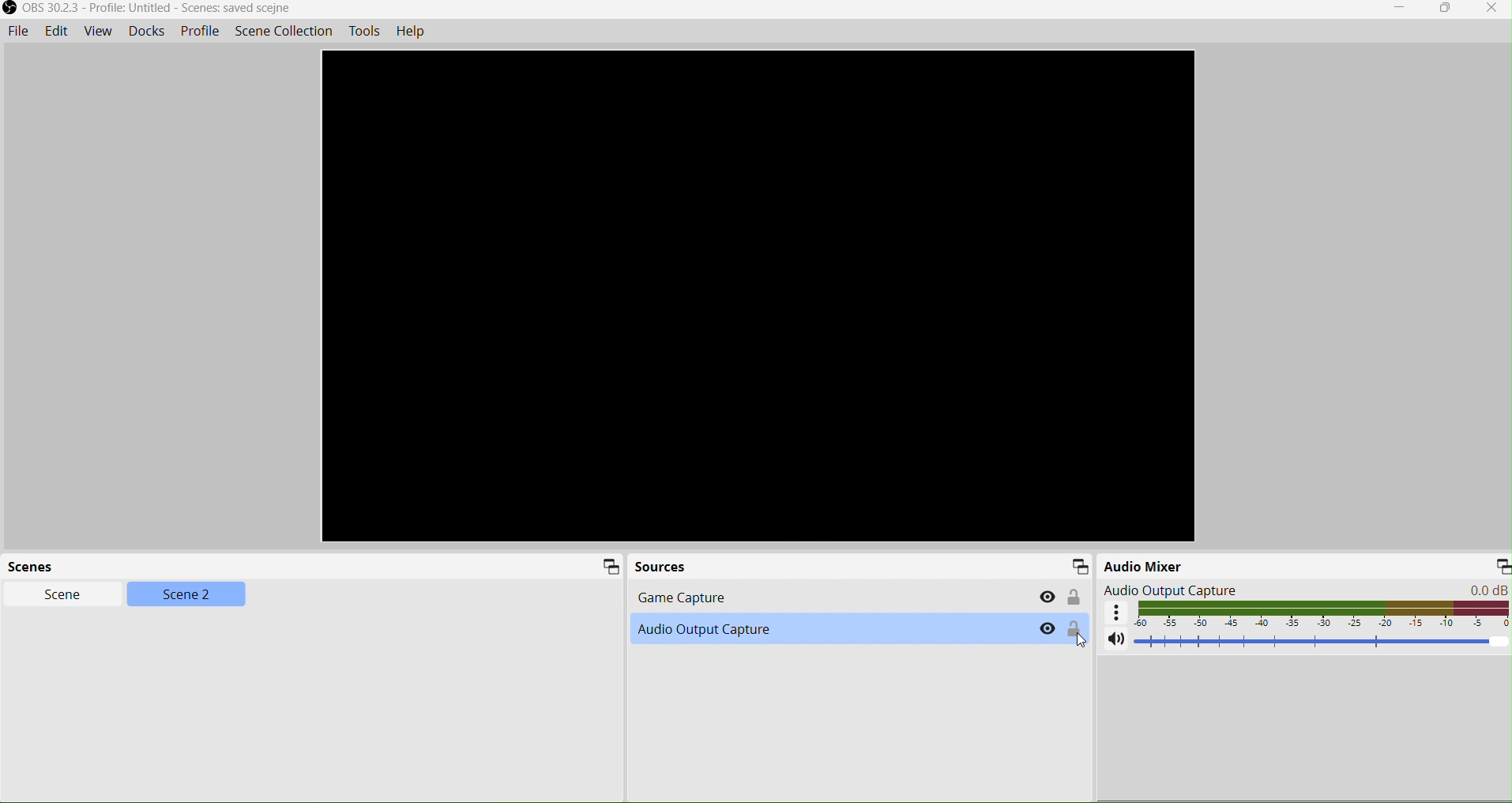  Describe the element at coordinates (1503, 570) in the screenshot. I see `Minimize` at that location.